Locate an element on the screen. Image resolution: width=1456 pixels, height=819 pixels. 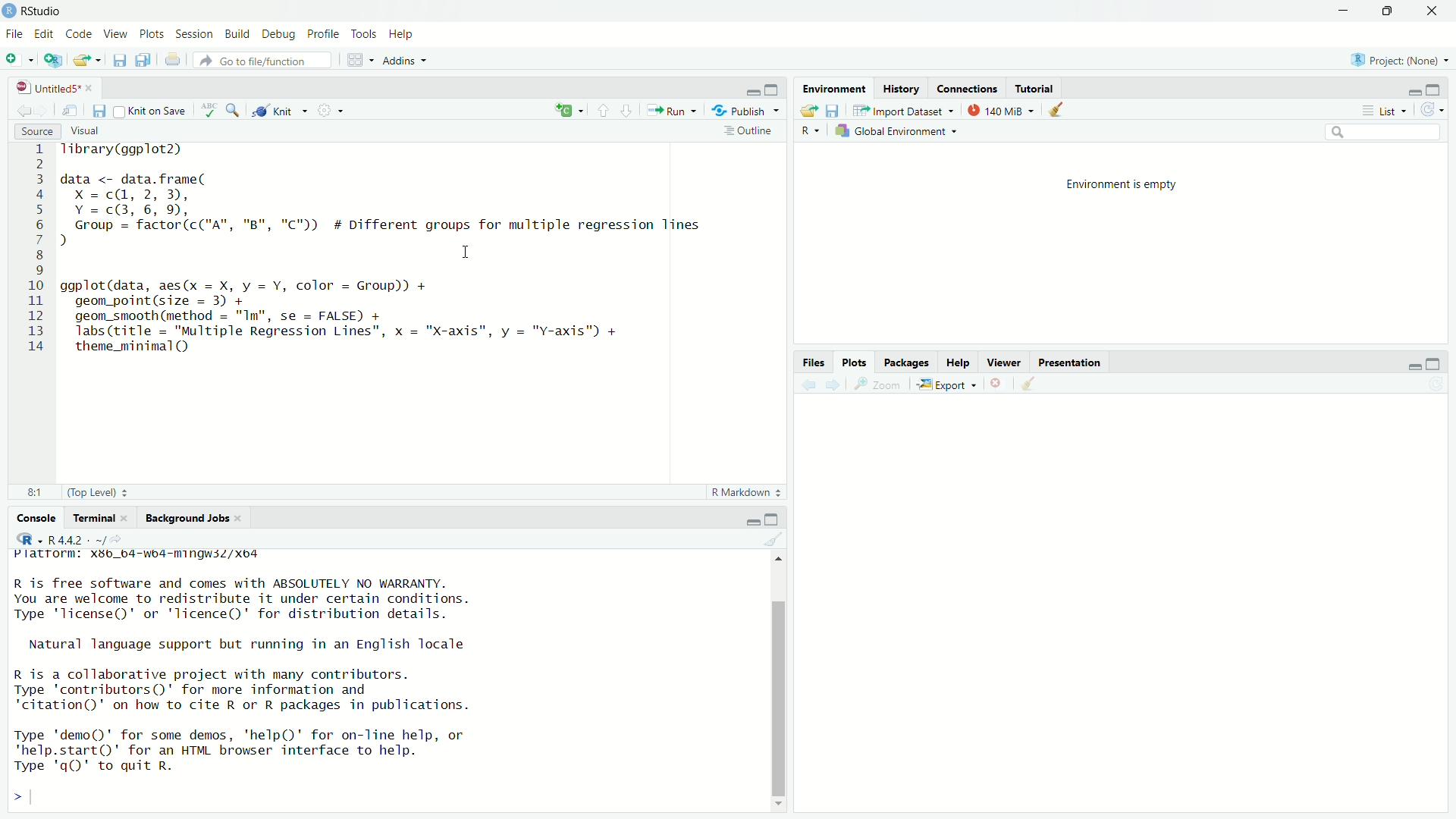
Build is located at coordinates (237, 34).